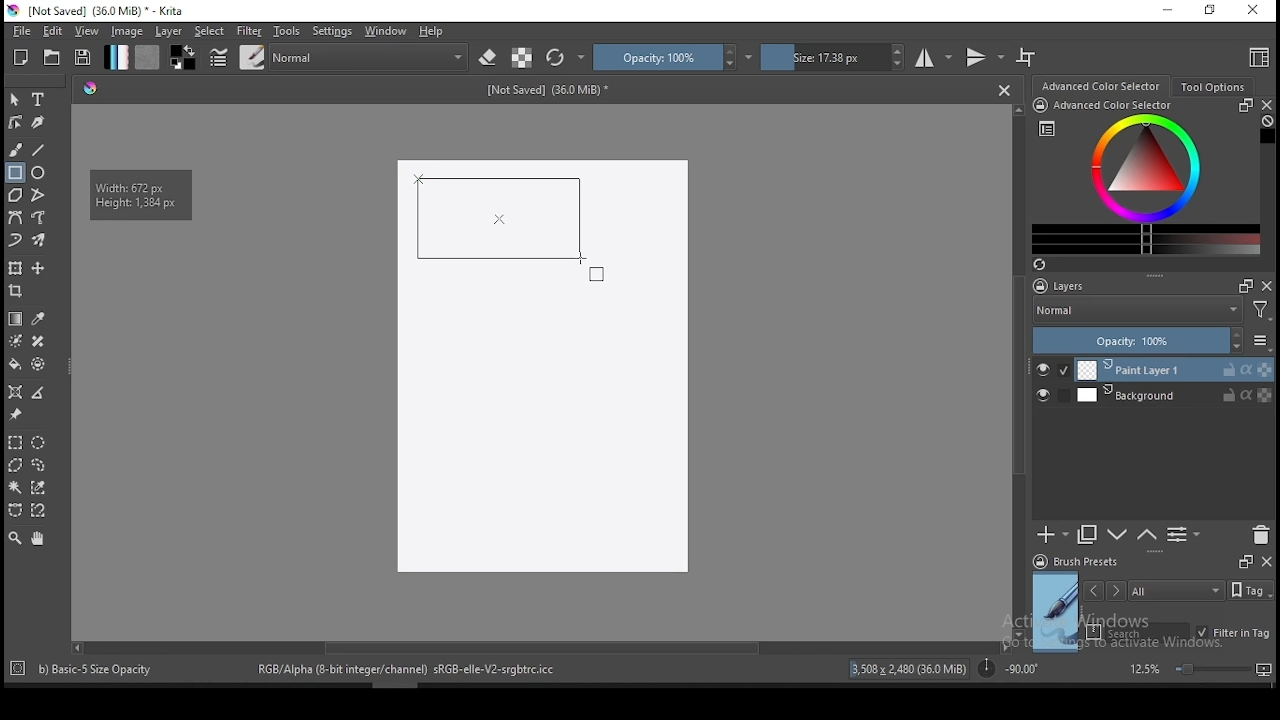 The width and height of the screenshot is (1280, 720). What do you see at coordinates (1147, 535) in the screenshot?
I see `move layer one step down` at bounding box center [1147, 535].